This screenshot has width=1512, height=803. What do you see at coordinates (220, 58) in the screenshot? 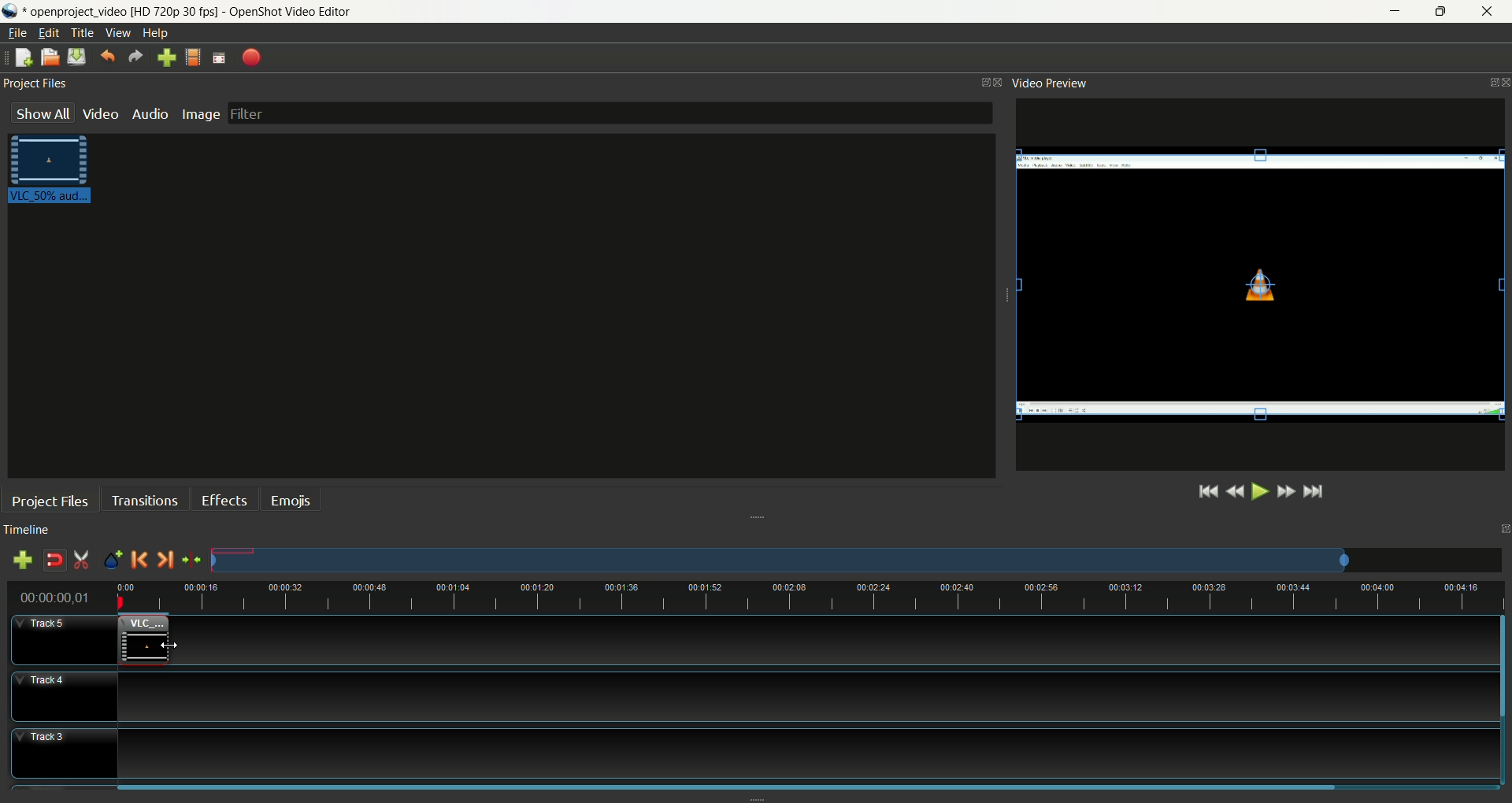
I see `fullscreen` at bounding box center [220, 58].